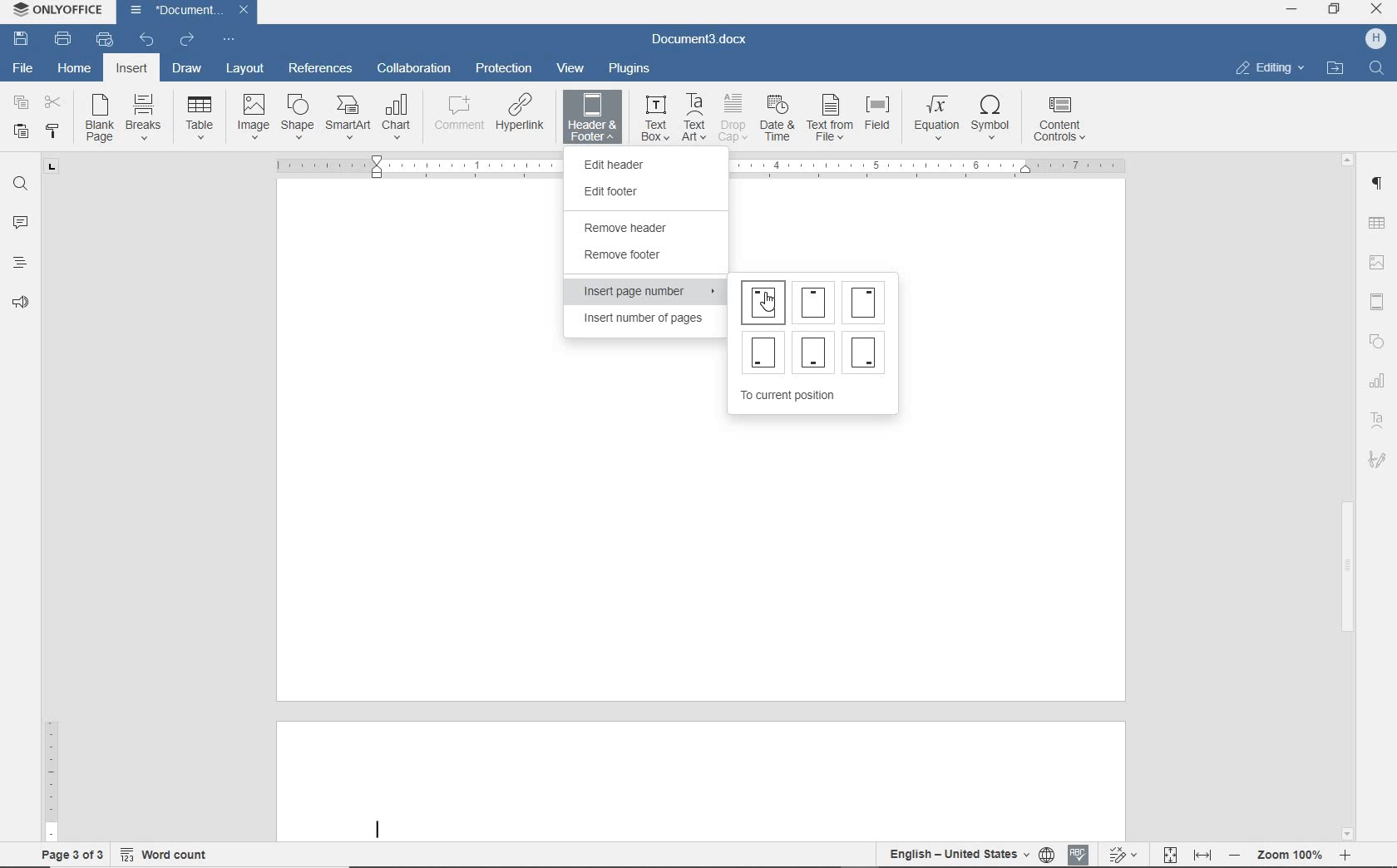 This screenshot has width=1397, height=868. Describe the element at coordinates (631, 191) in the screenshot. I see `EDIT FOOTER` at that location.